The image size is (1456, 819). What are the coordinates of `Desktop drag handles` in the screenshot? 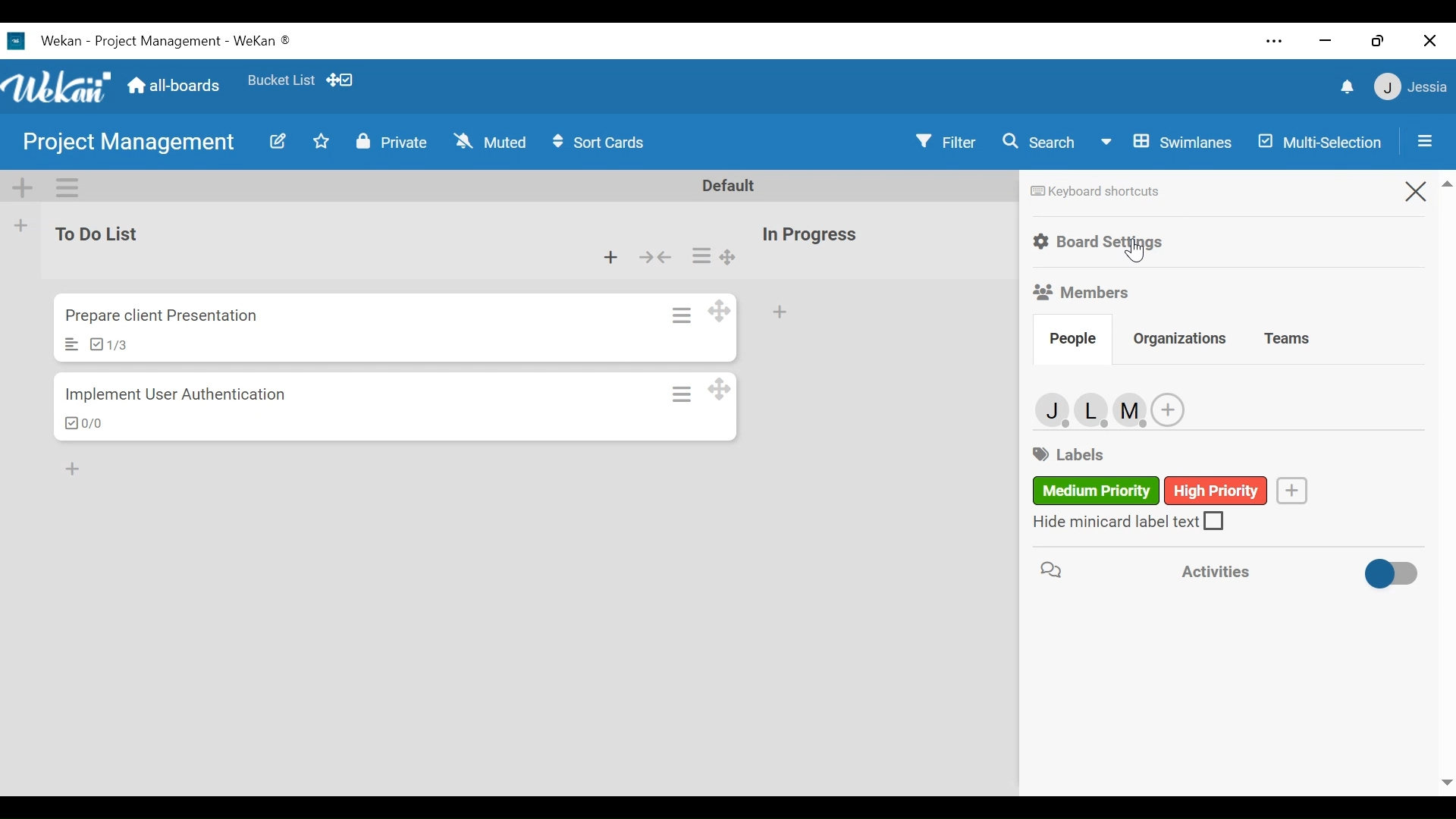 It's located at (718, 390).